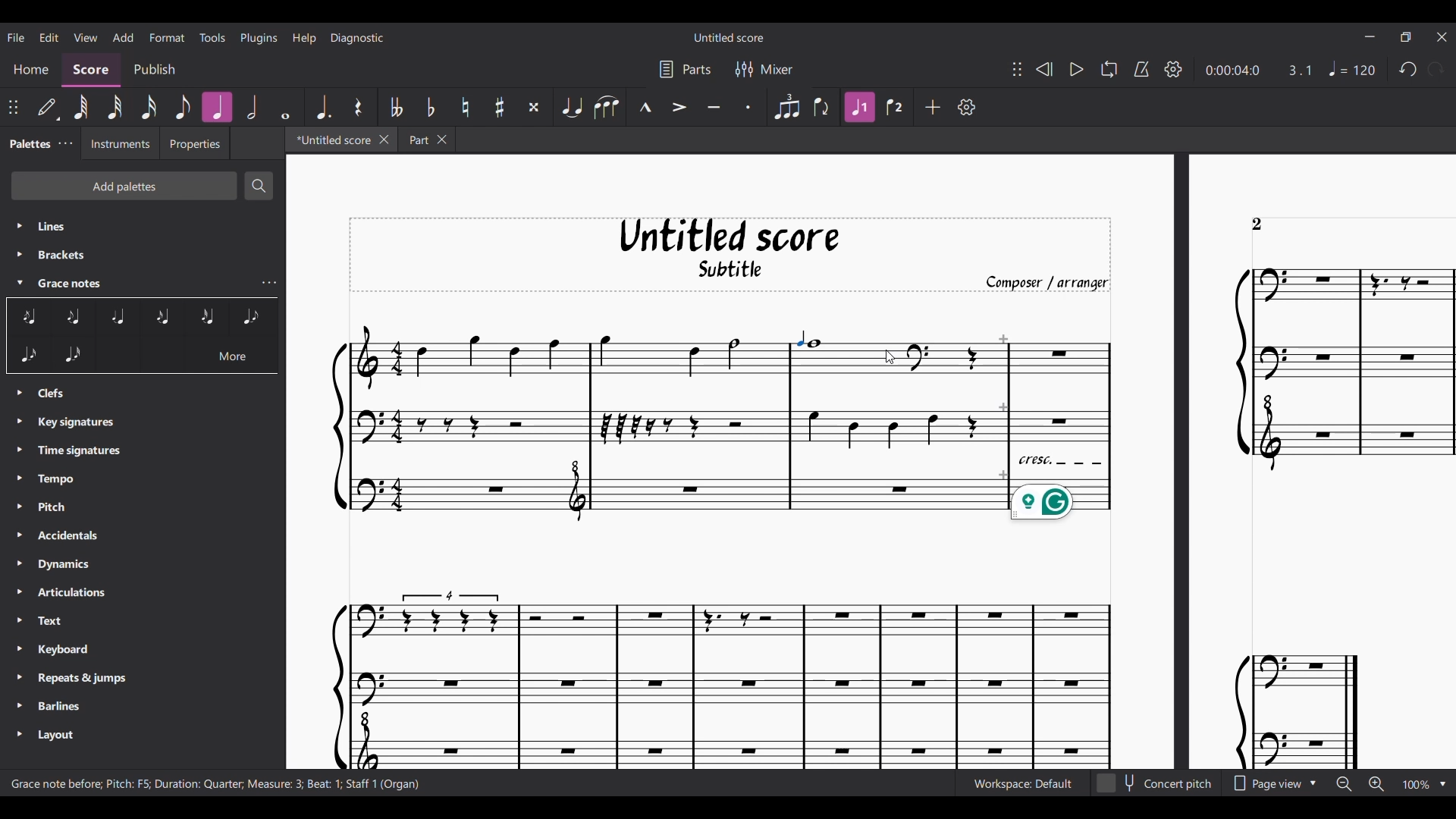  What do you see at coordinates (430, 108) in the screenshot?
I see `Toggle flat` at bounding box center [430, 108].